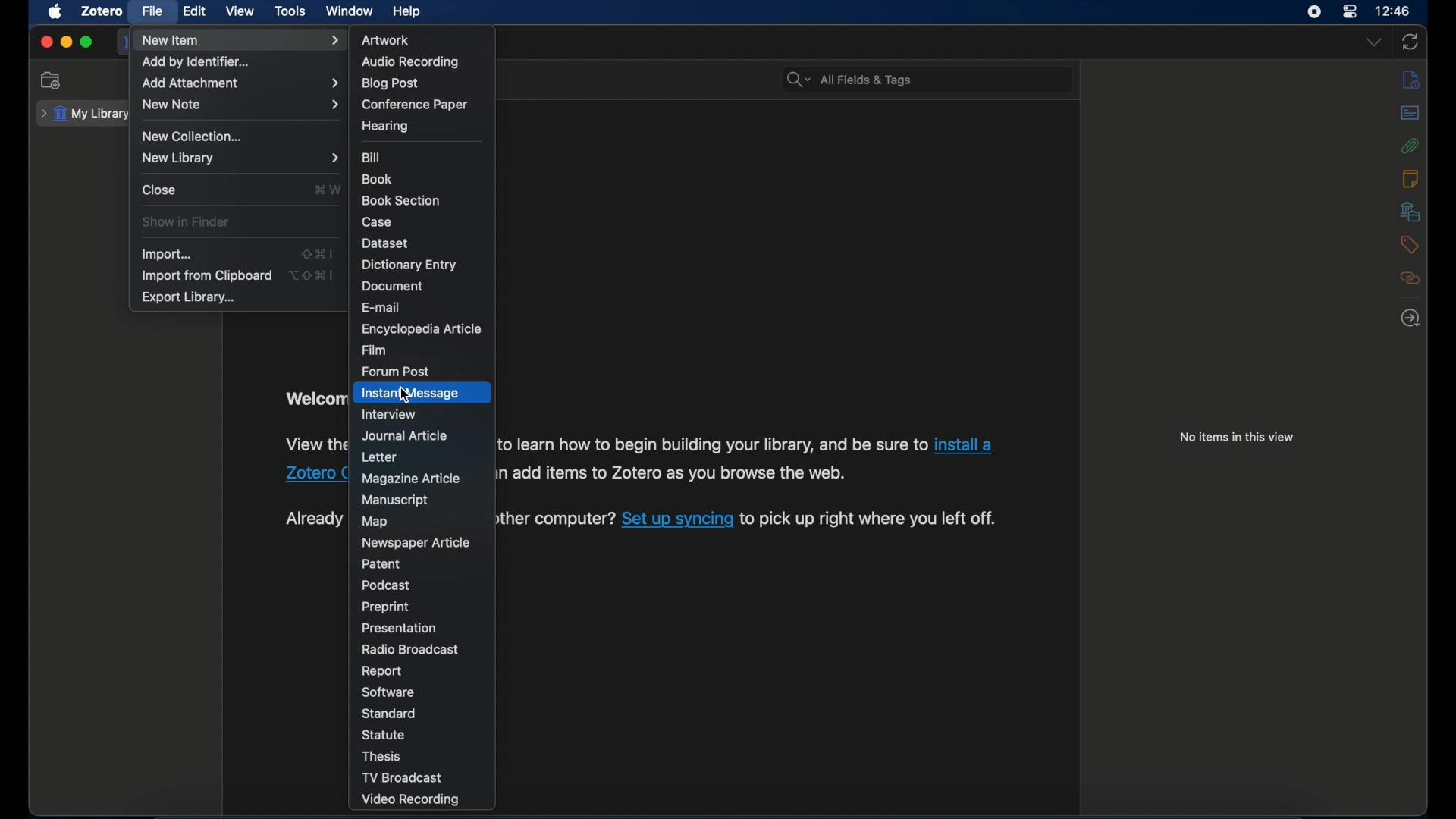 The image size is (1456, 819). Describe the element at coordinates (409, 394) in the screenshot. I see `instant message` at that location.